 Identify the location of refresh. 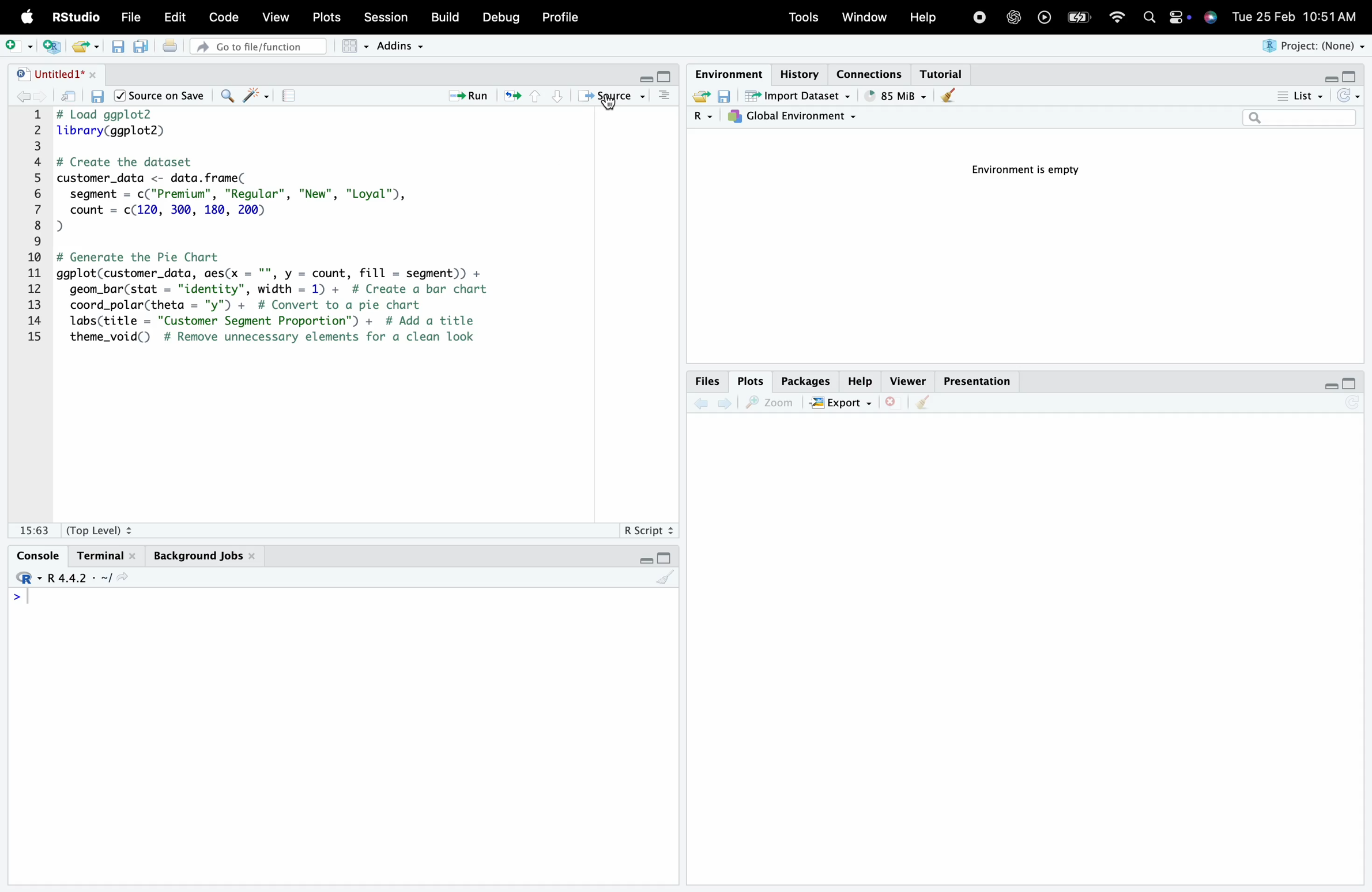
(511, 97).